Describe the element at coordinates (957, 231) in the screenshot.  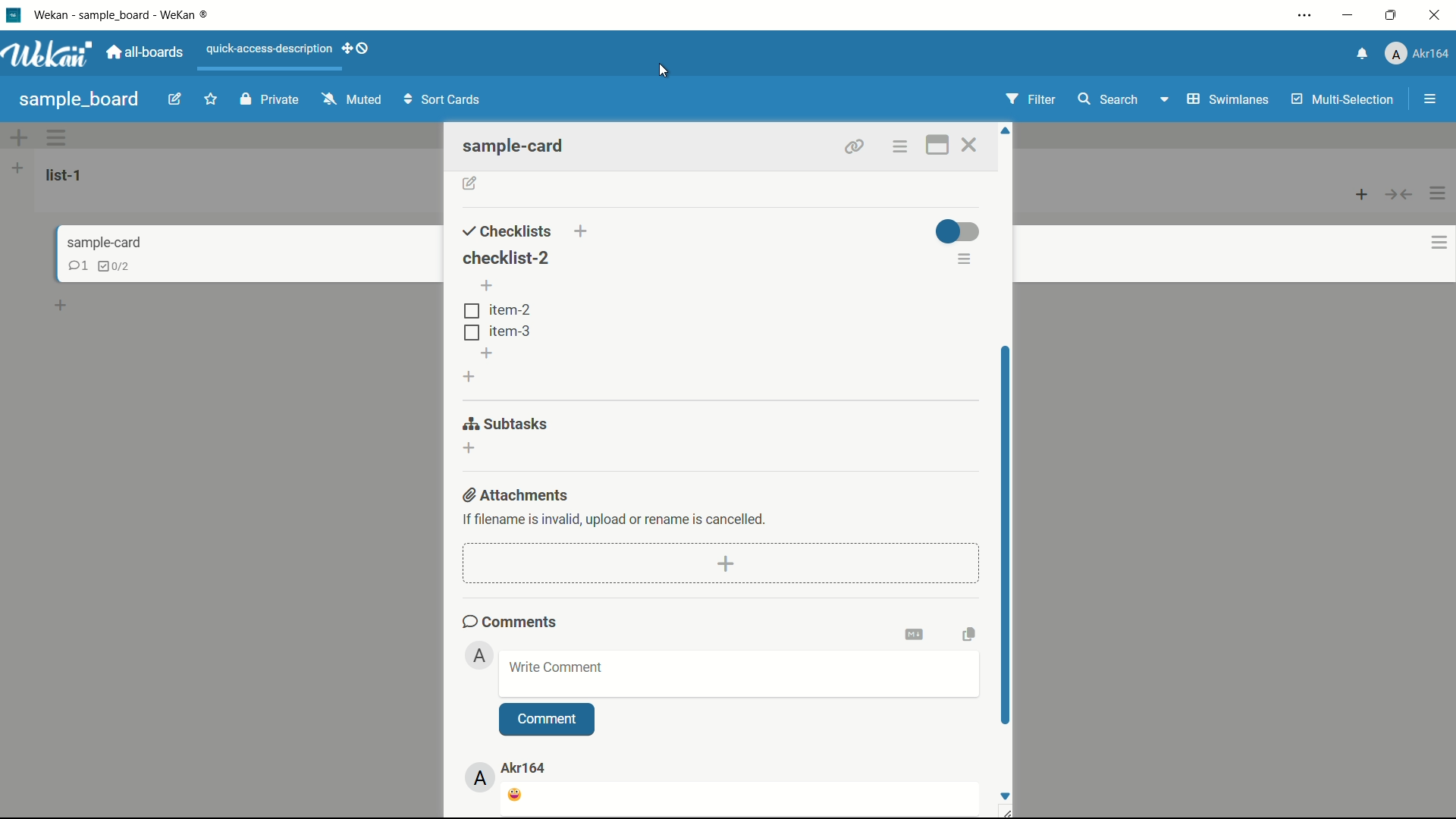
I see `toggle button` at that location.